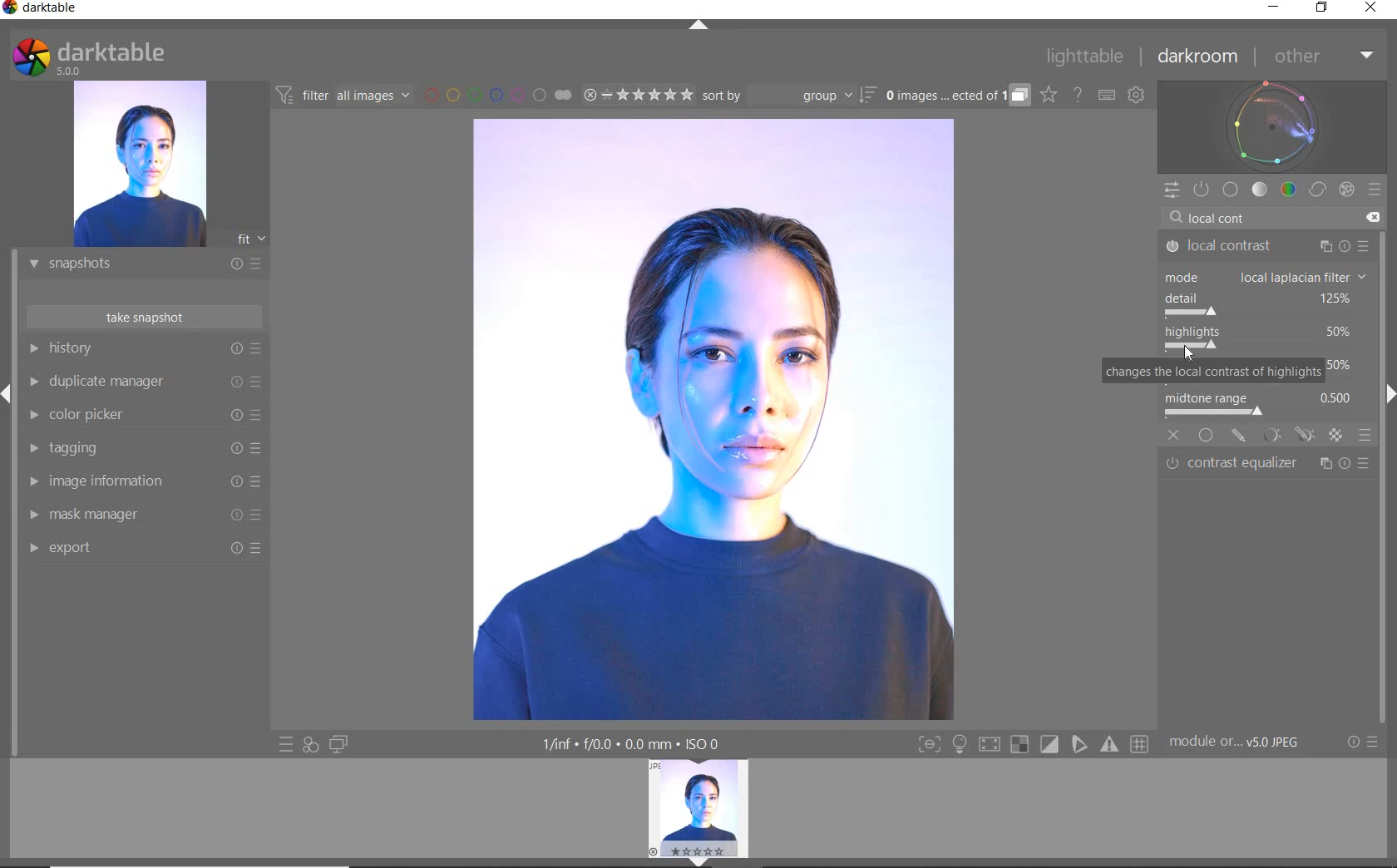 The image size is (1397, 868). Describe the element at coordinates (139, 547) in the screenshot. I see `EXPORT` at that location.